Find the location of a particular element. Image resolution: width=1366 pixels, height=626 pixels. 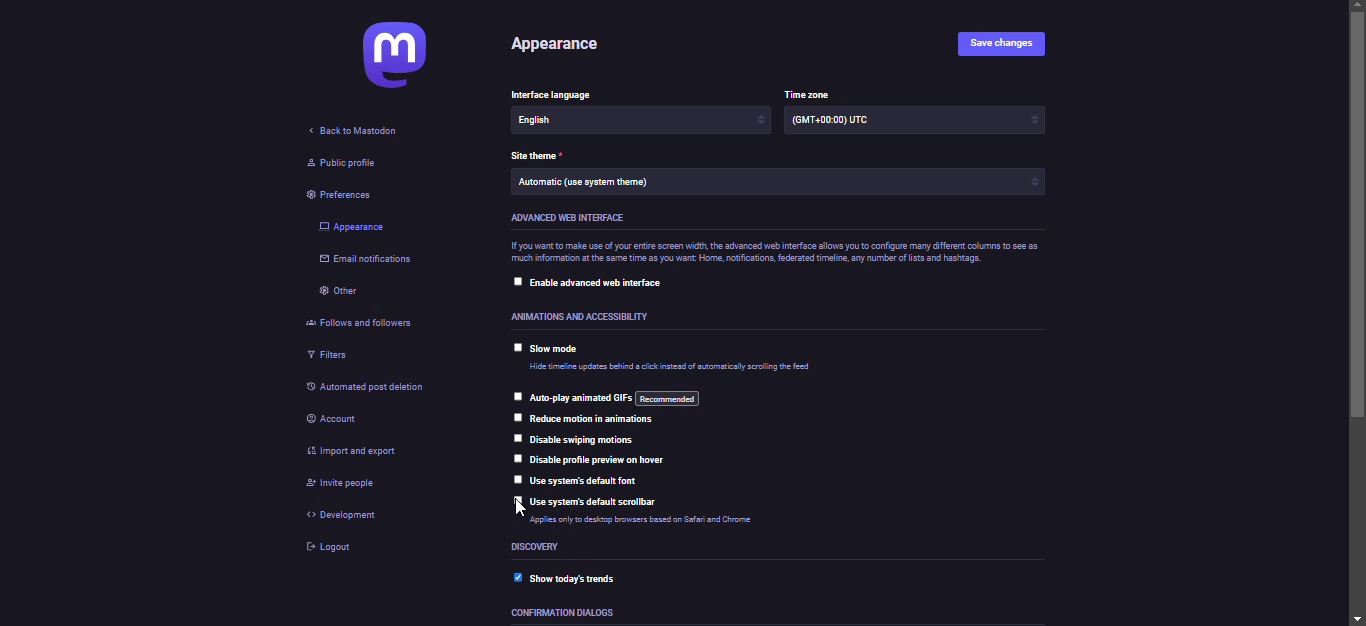

preferences is located at coordinates (344, 192).